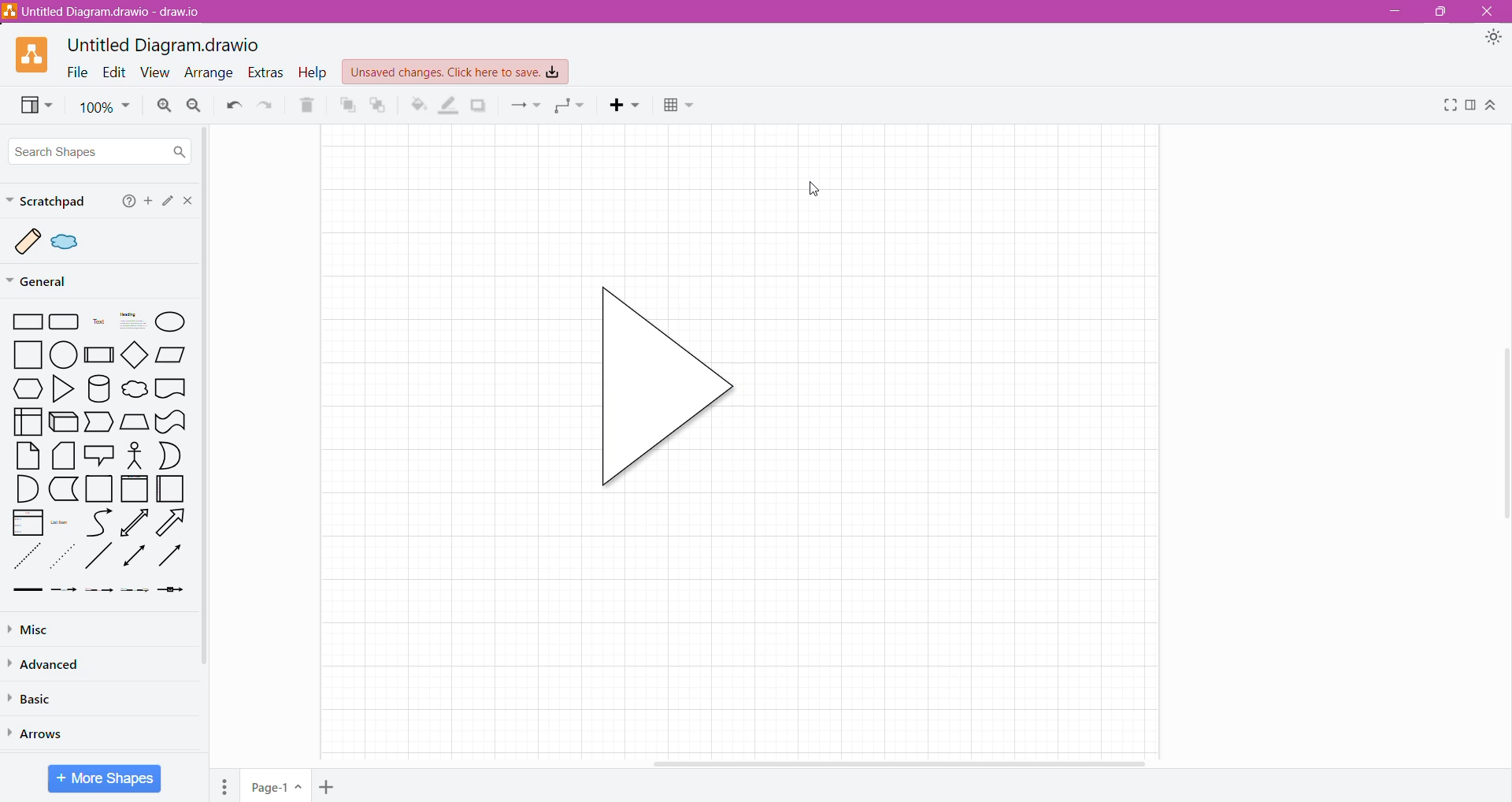  I want to click on Basic, so click(34, 699).